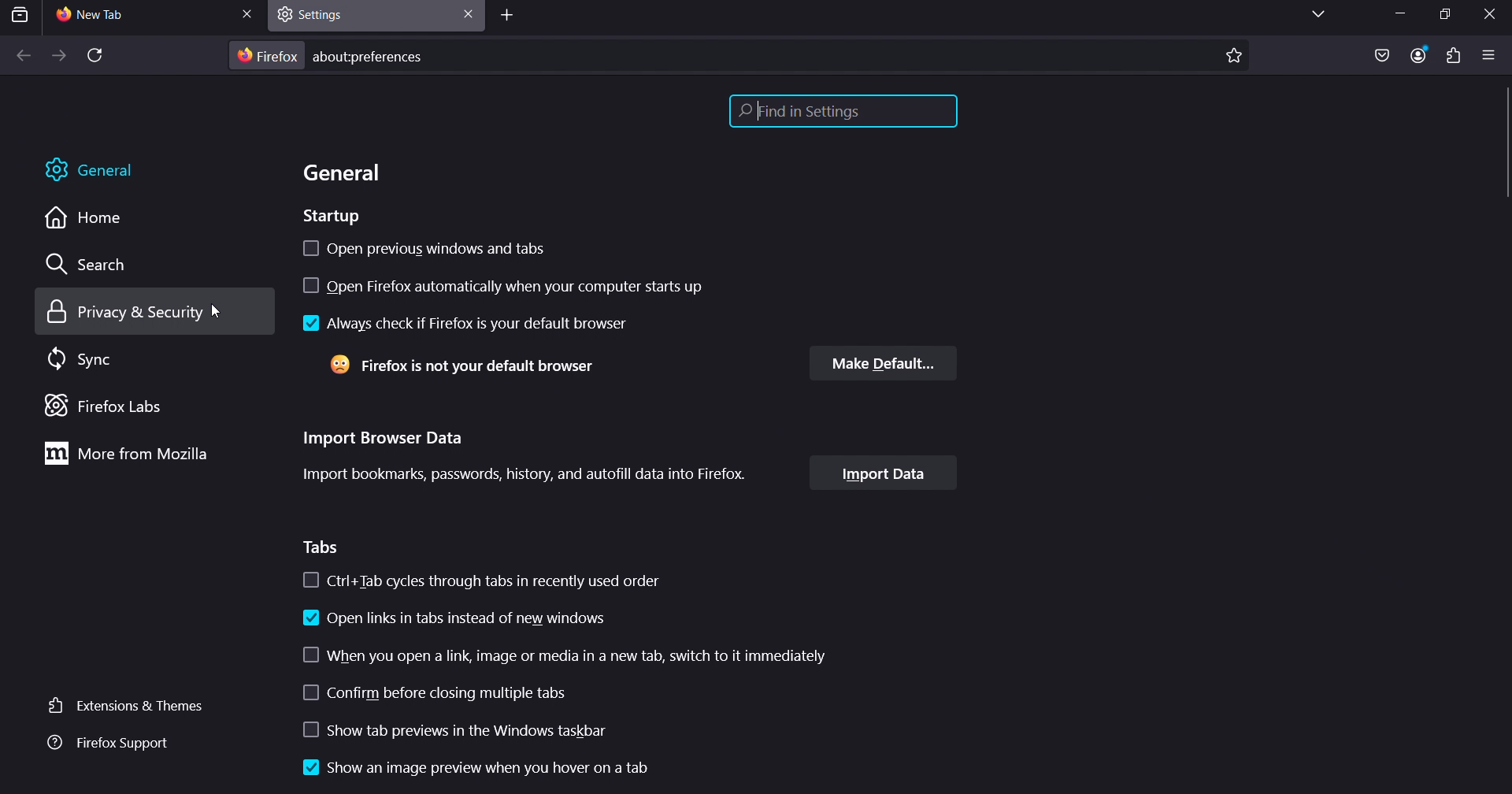 The height and width of the screenshot is (794, 1512). I want to click on always check if firefox is your default browser, so click(461, 323).